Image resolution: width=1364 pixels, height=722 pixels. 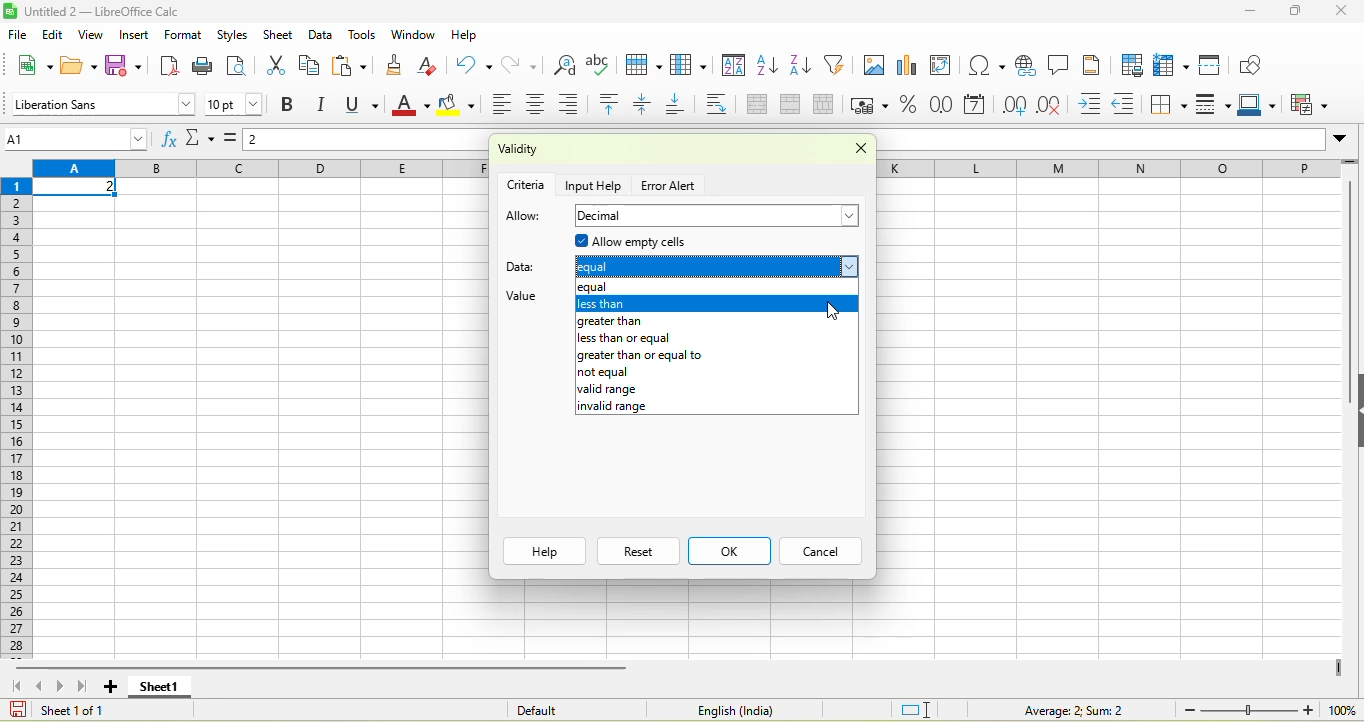 I want to click on print, so click(x=204, y=65).